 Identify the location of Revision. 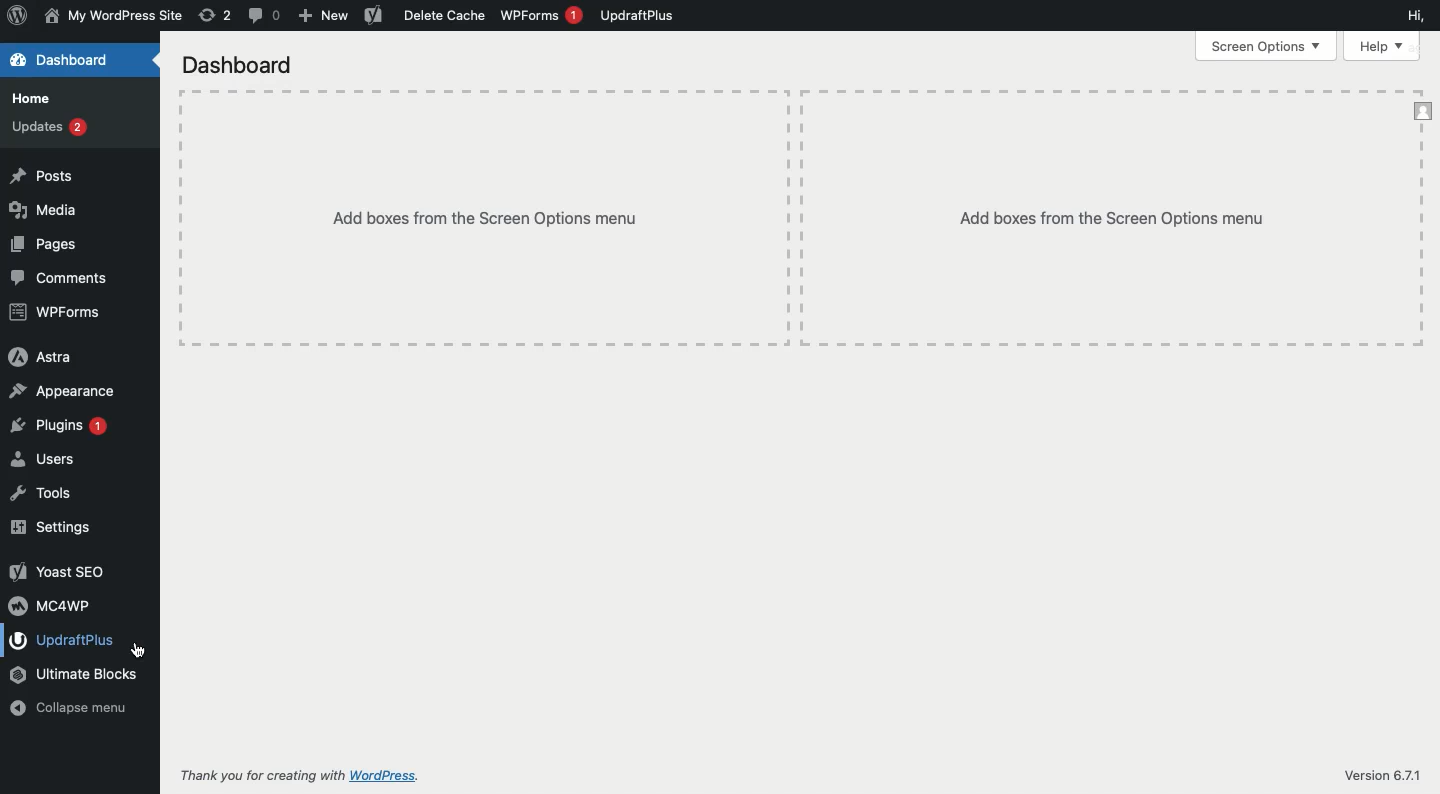
(215, 15).